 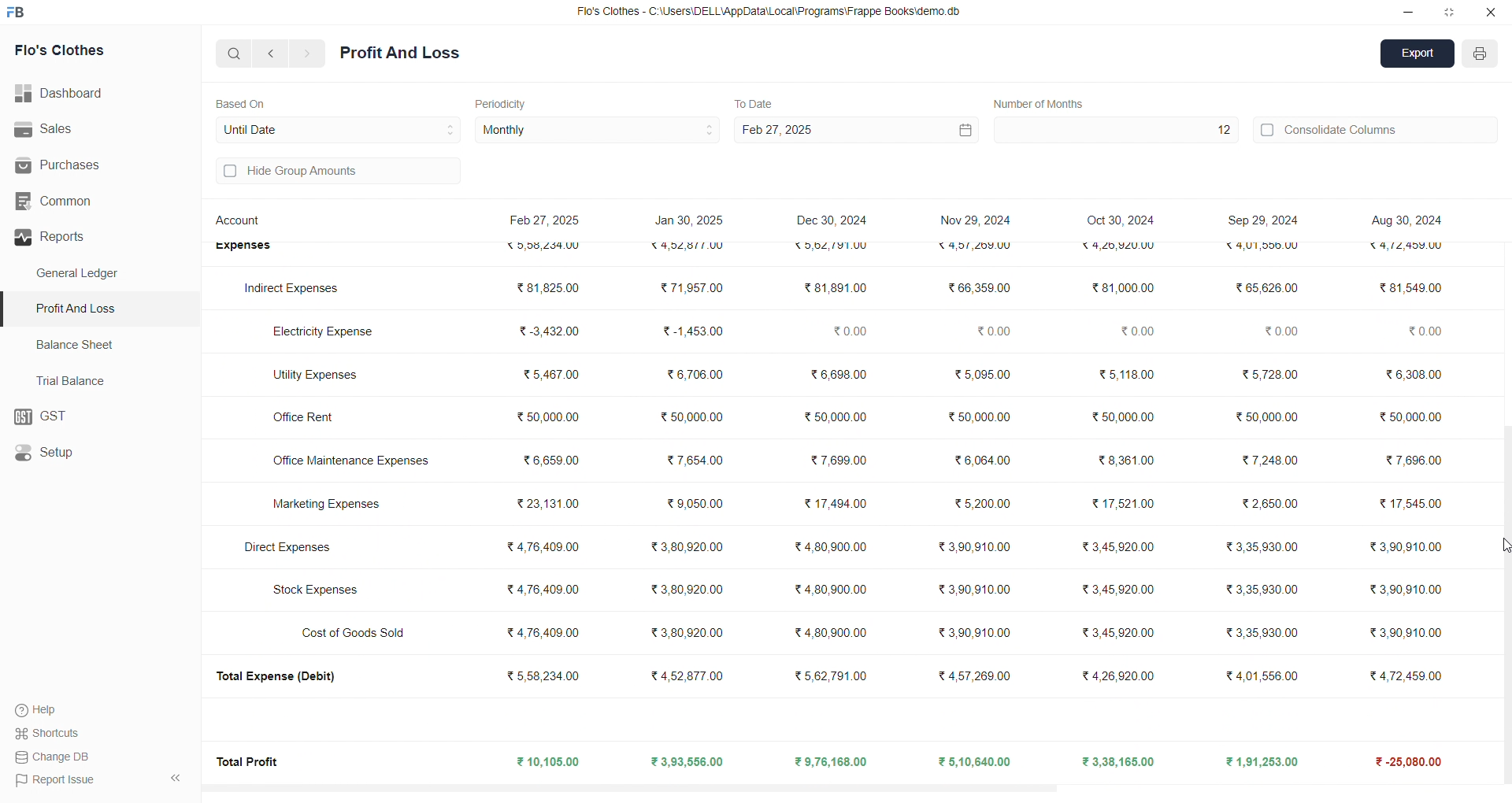 I want to click on ₹4,26,920.00, so click(x=1118, y=674).